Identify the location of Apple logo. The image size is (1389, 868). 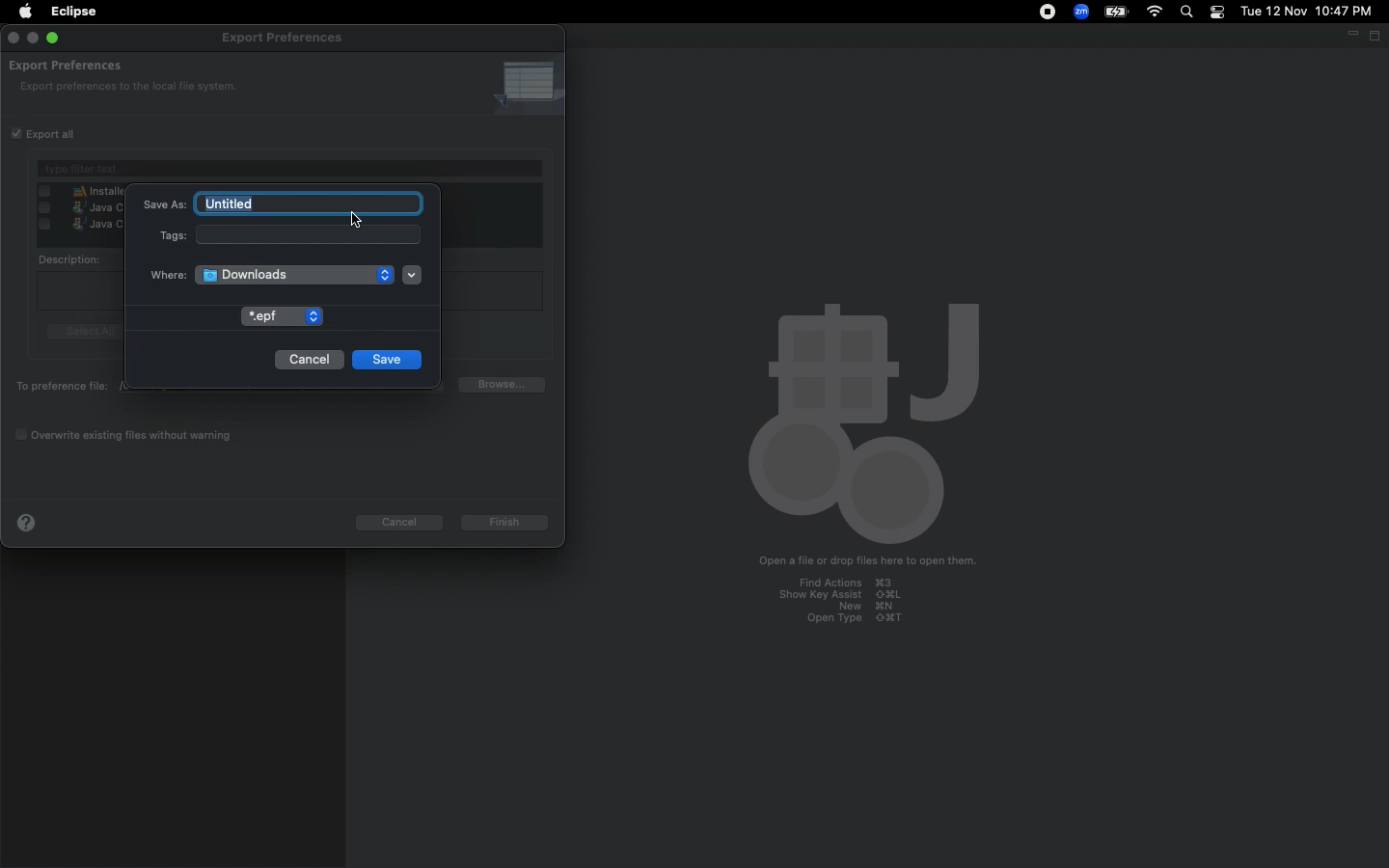
(25, 14).